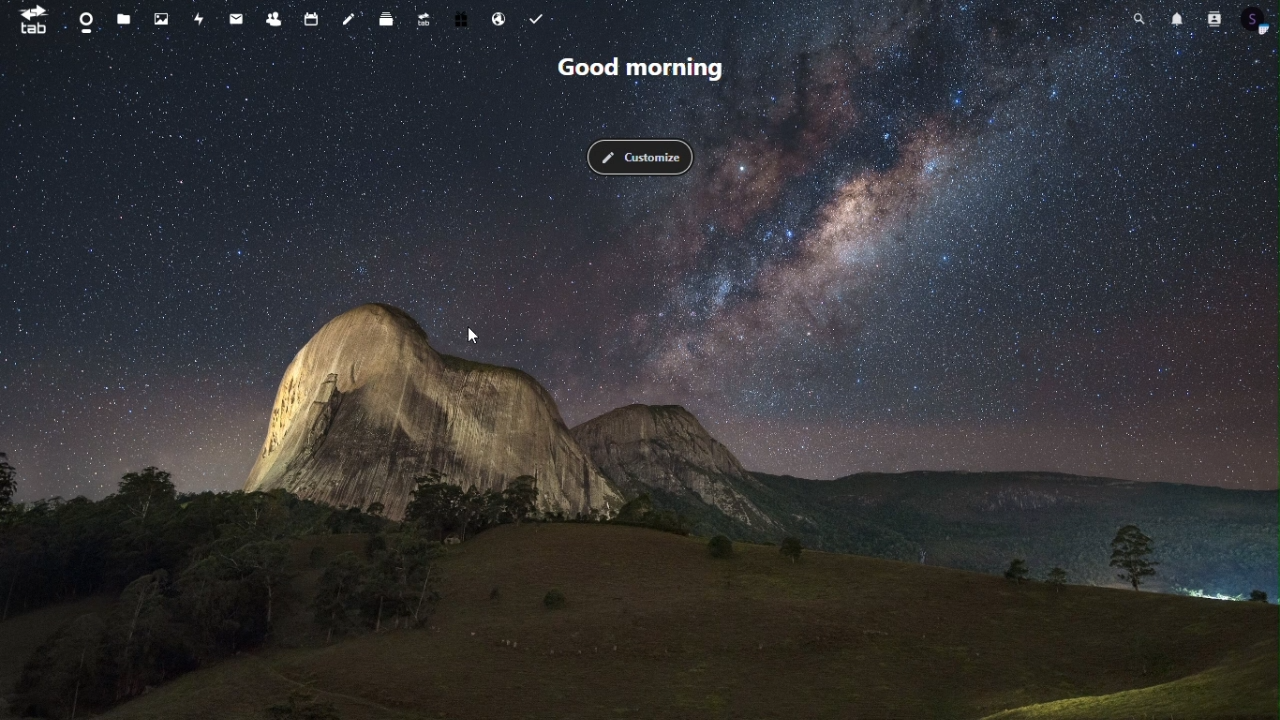  I want to click on calender, so click(316, 16).